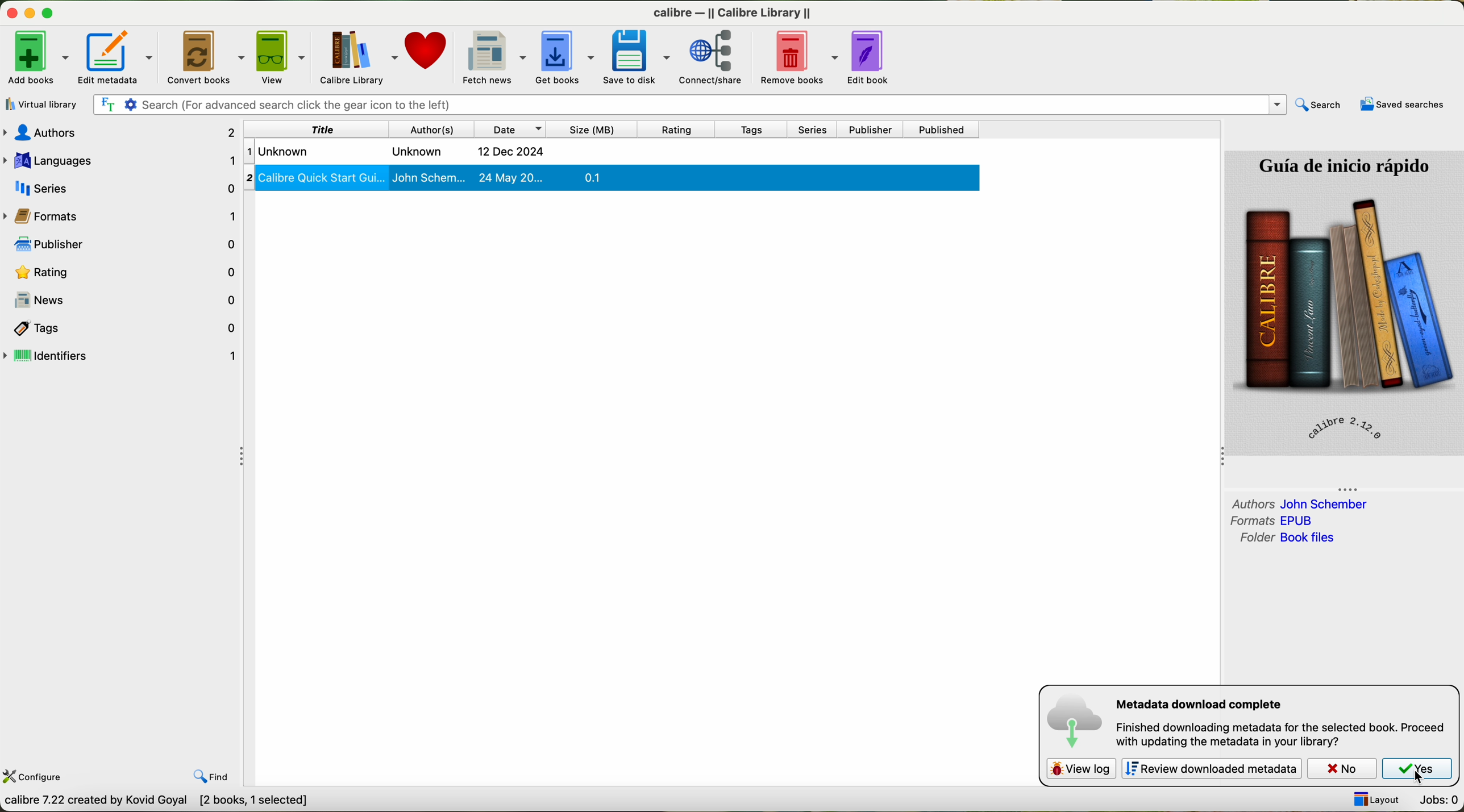 The height and width of the screenshot is (812, 1464). I want to click on search, so click(1319, 105).